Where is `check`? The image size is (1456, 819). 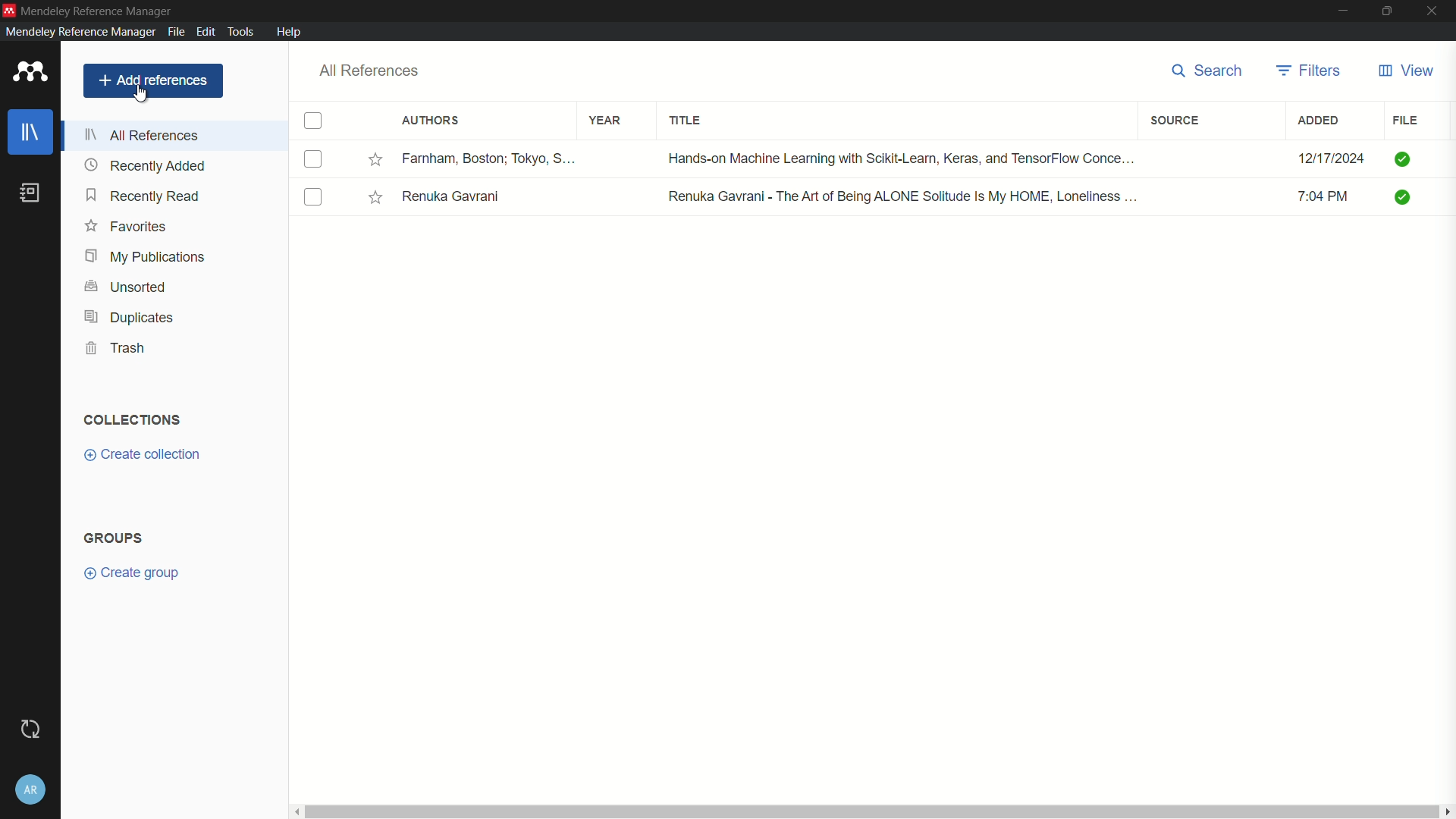 check is located at coordinates (1404, 158).